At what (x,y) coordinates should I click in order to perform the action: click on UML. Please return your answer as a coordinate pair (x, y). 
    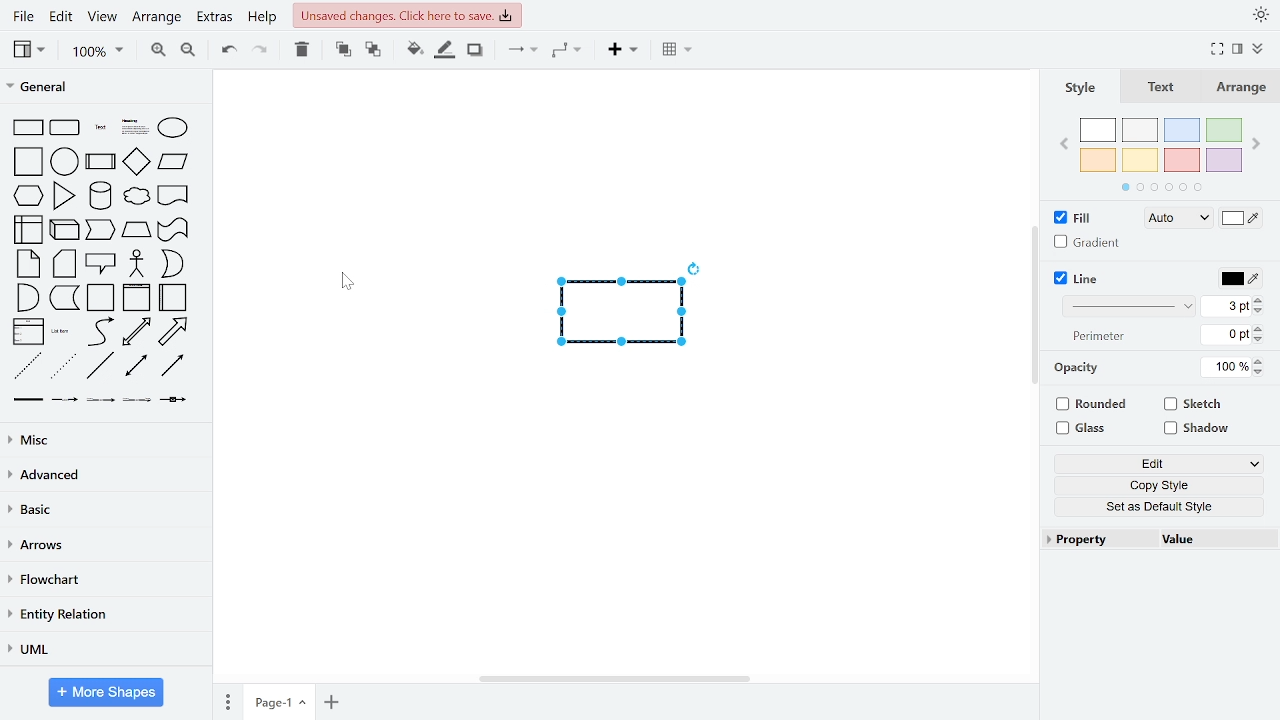
    Looking at the image, I should click on (102, 649).